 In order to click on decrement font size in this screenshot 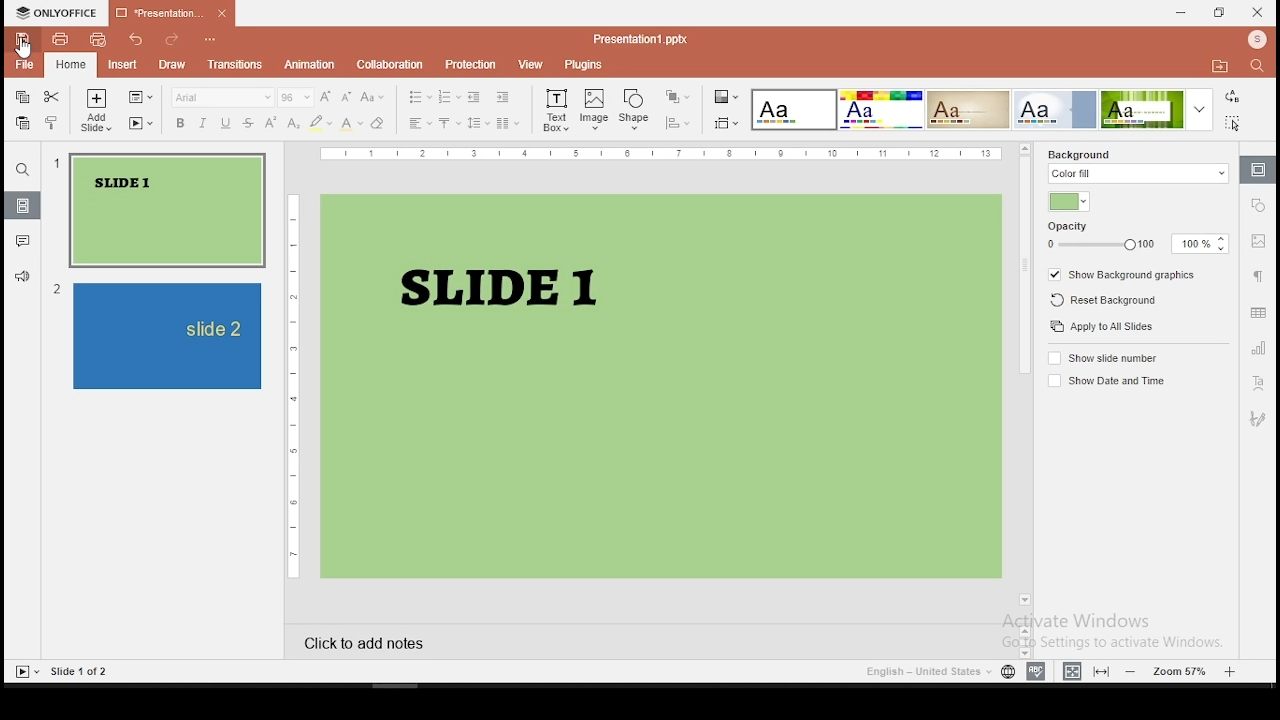, I will do `click(348, 97)`.